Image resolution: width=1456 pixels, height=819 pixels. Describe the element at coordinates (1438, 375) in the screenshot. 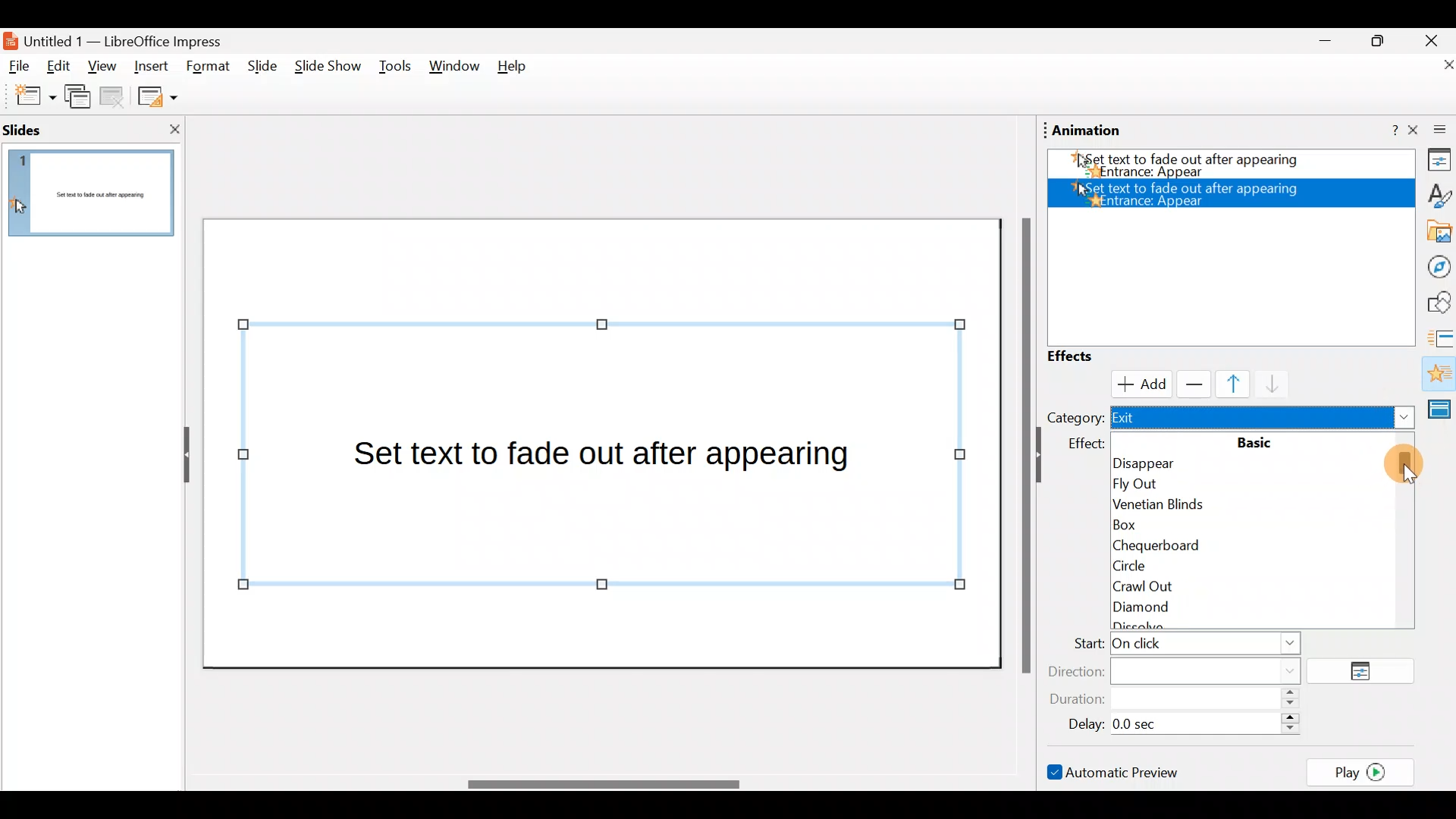

I see `Animation` at that location.